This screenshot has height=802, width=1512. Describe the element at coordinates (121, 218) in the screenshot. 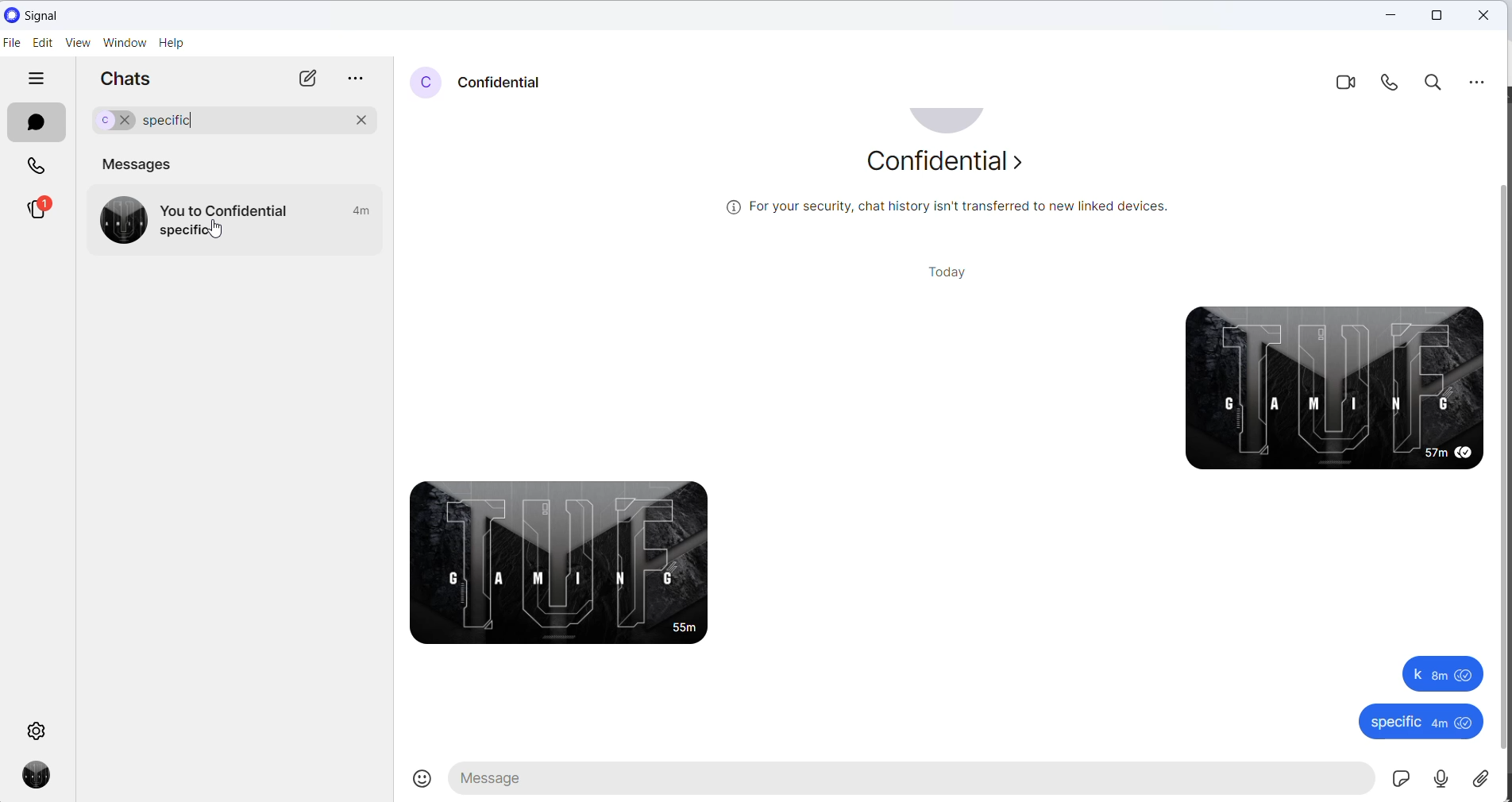

I see `profile picture` at that location.